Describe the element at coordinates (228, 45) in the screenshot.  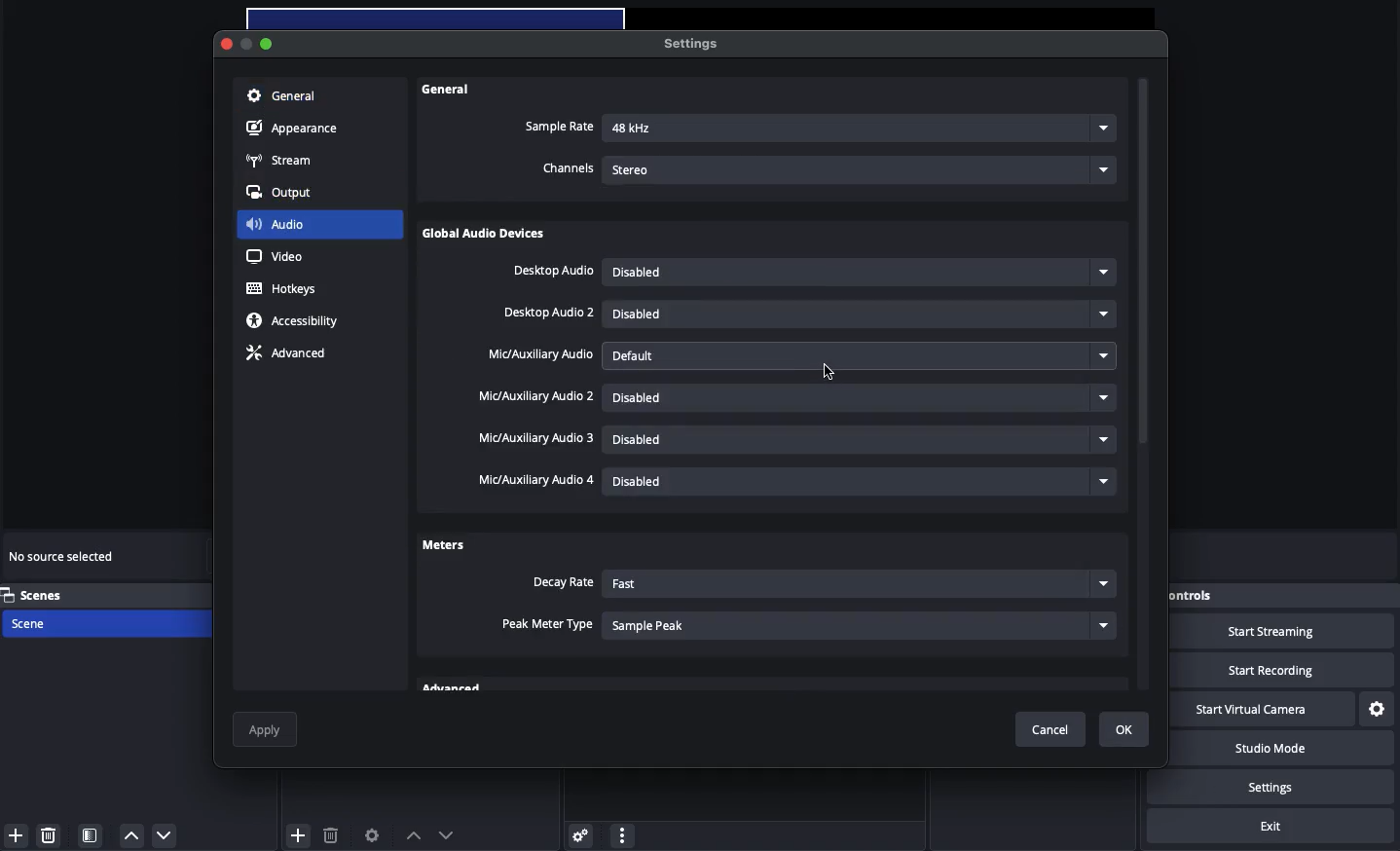
I see `Close` at that location.